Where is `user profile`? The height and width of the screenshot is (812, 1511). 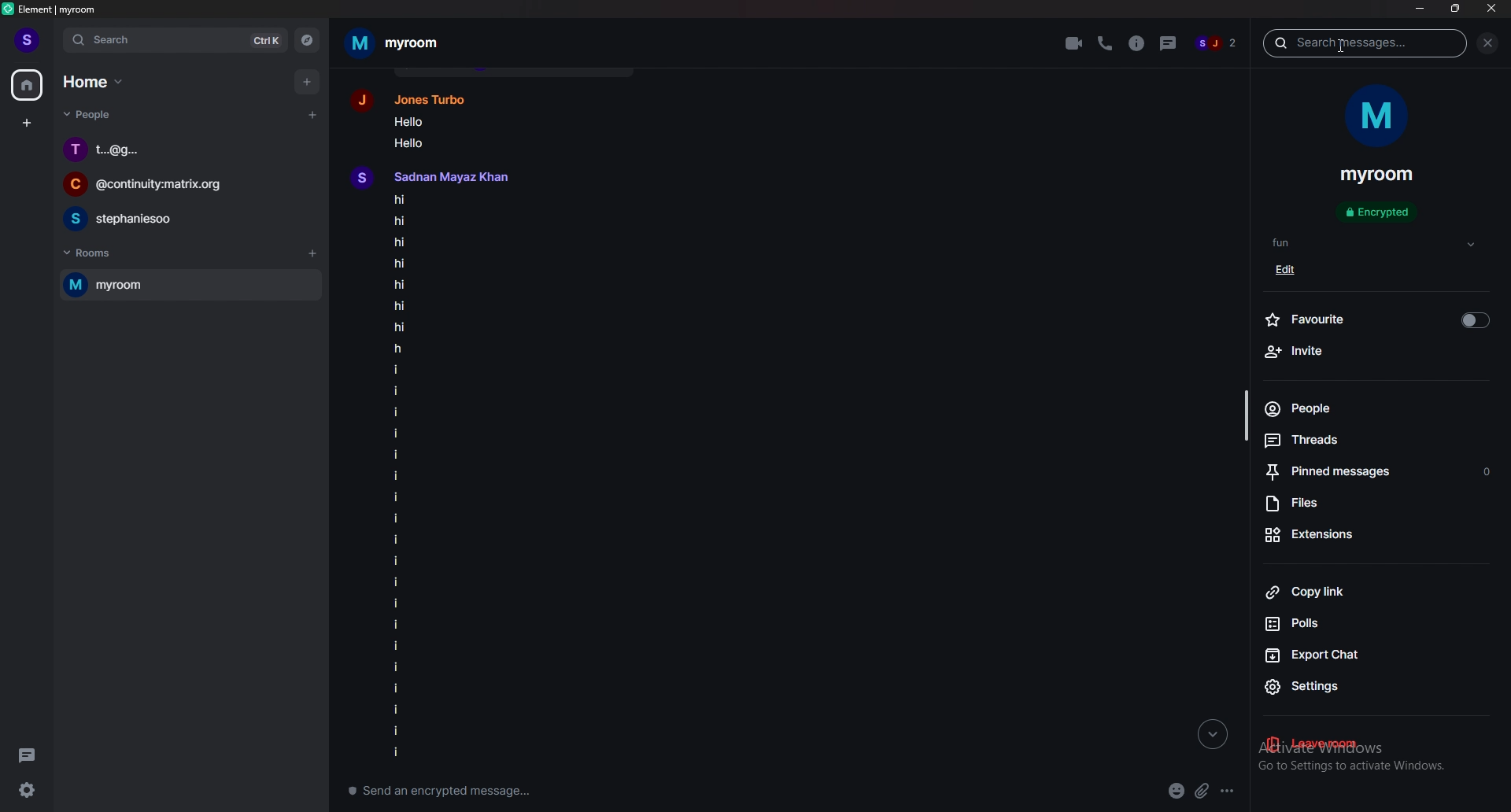 user profile is located at coordinates (421, 97).